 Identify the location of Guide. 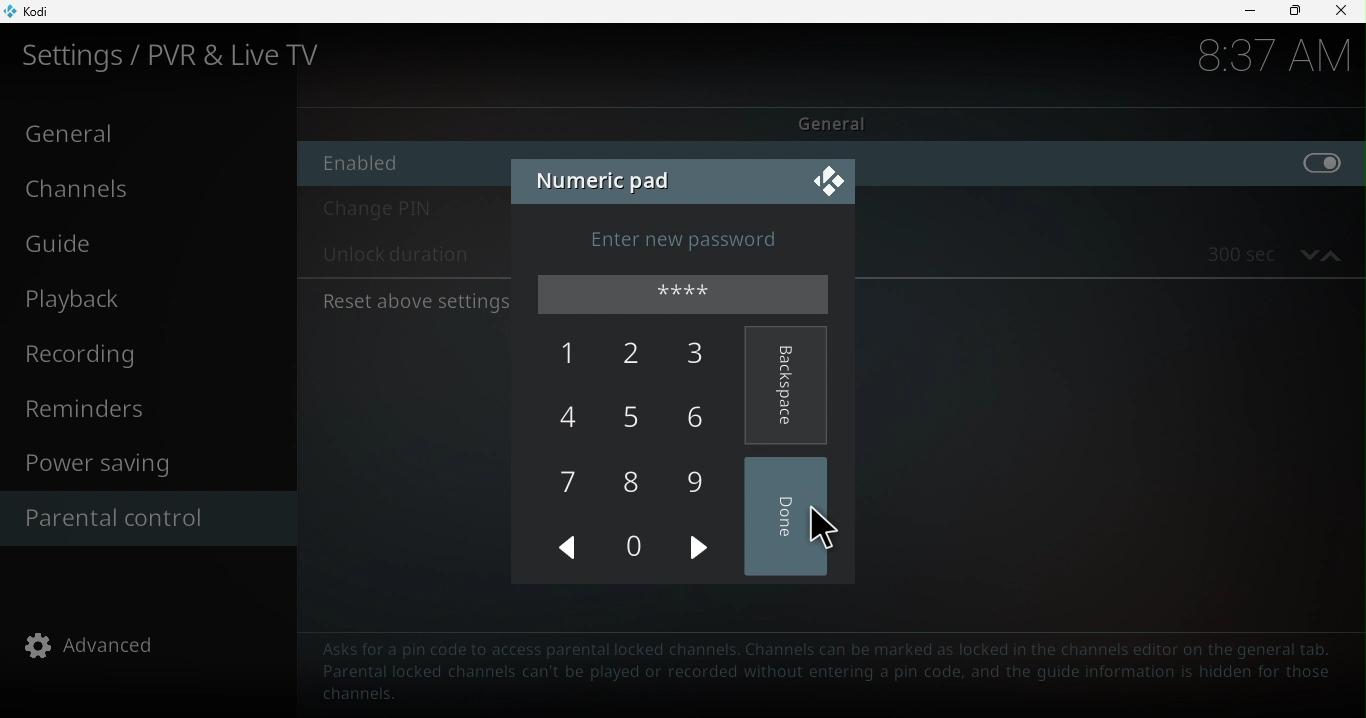
(144, 242).